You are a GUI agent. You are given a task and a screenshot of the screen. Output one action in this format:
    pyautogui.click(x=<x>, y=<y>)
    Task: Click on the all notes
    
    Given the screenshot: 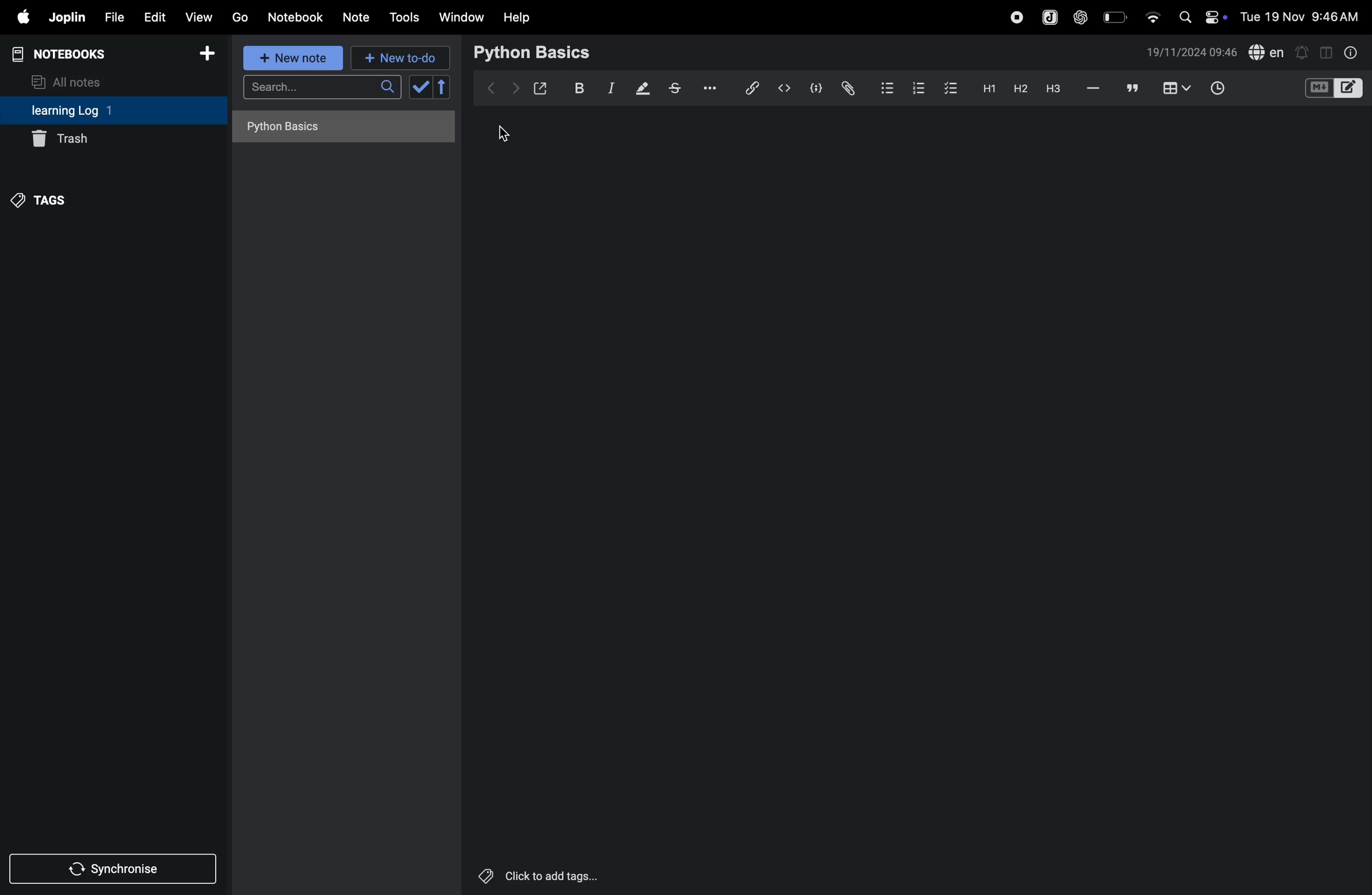 What is the action you would take?
    pyautogui.click(x=73, y=81)
    